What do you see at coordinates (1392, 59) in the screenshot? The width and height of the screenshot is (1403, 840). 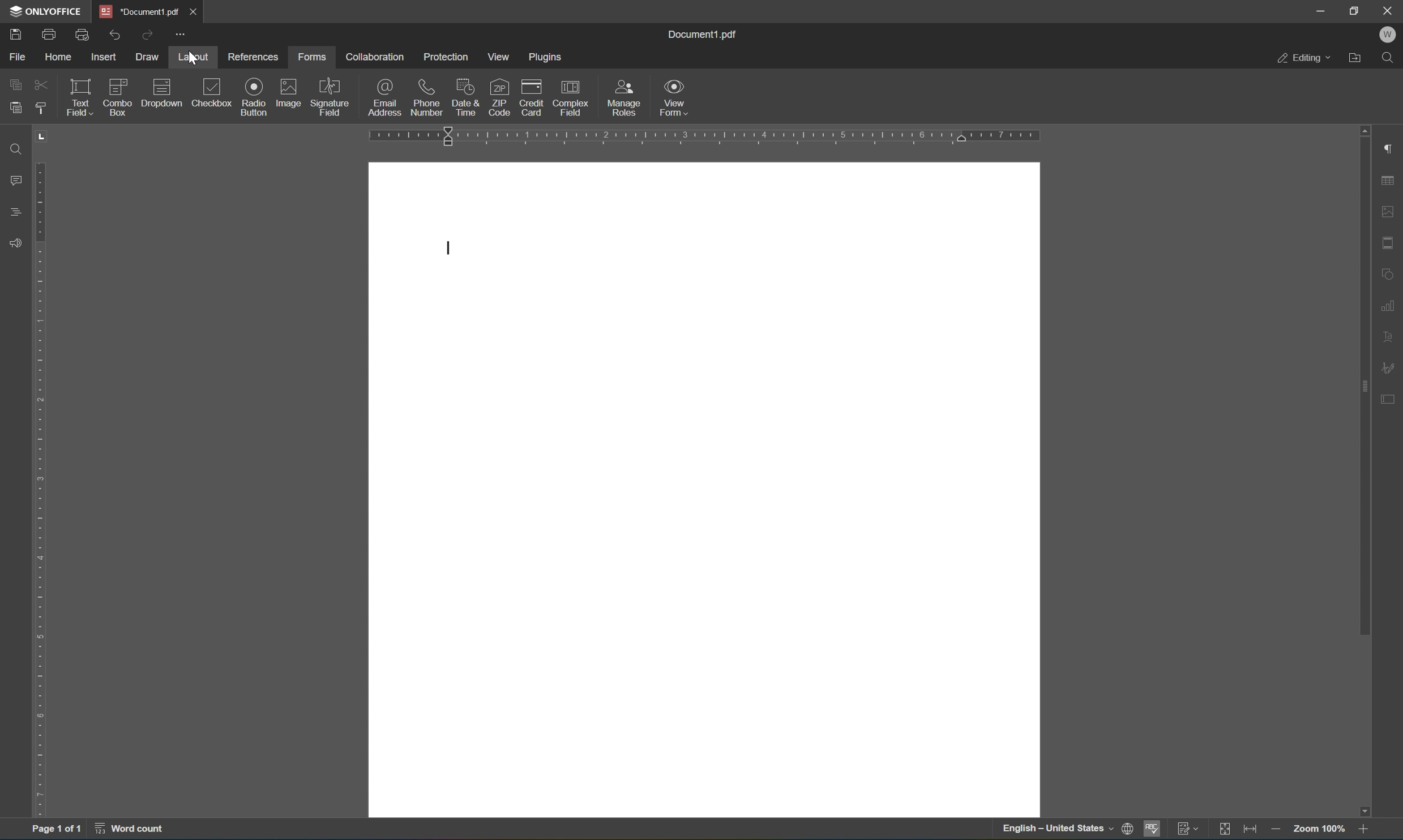 I see `Find` at bounding box center [1392, 59].